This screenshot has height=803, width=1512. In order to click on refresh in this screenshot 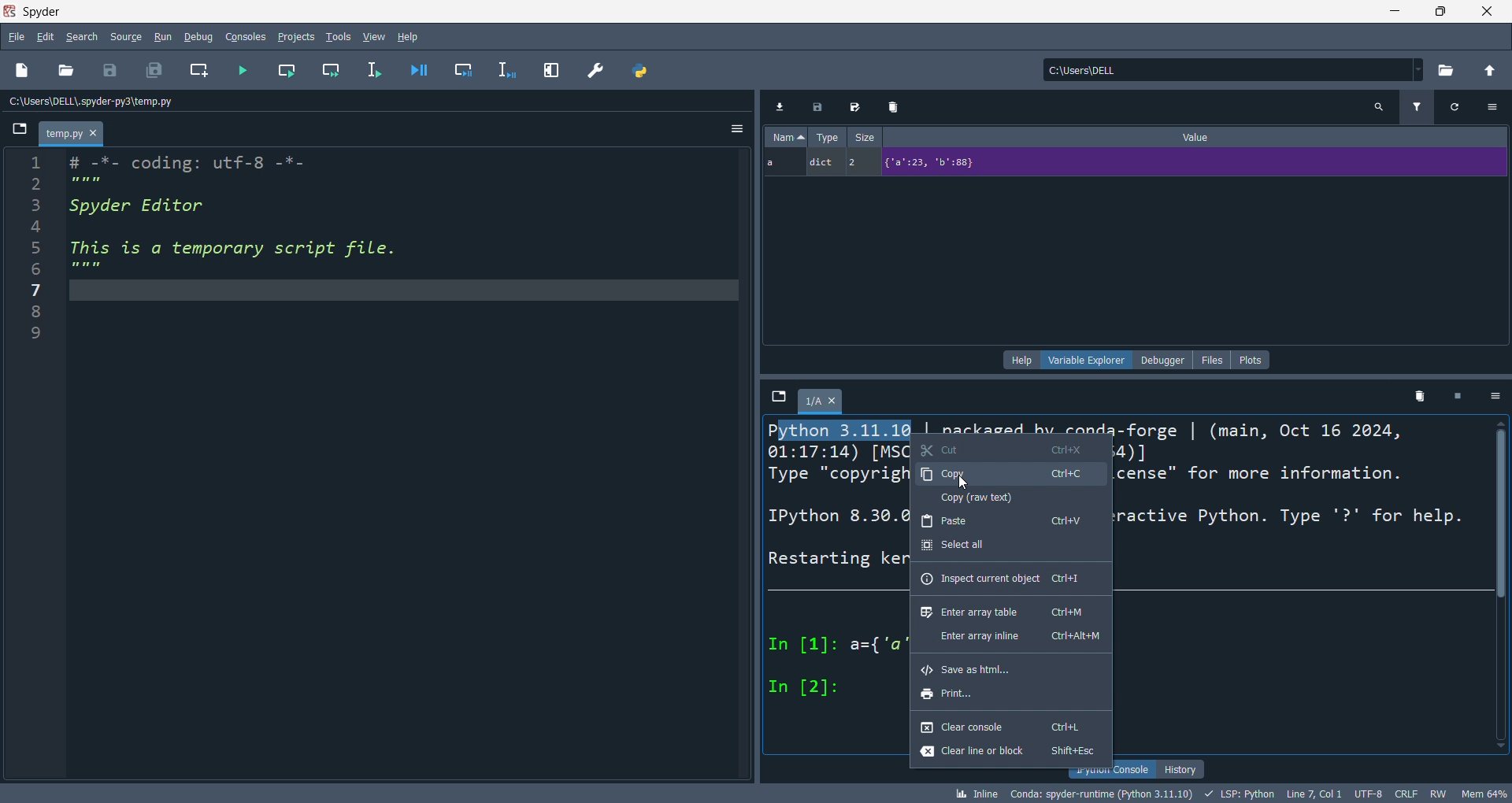, I will do `click(1462, 107)`.